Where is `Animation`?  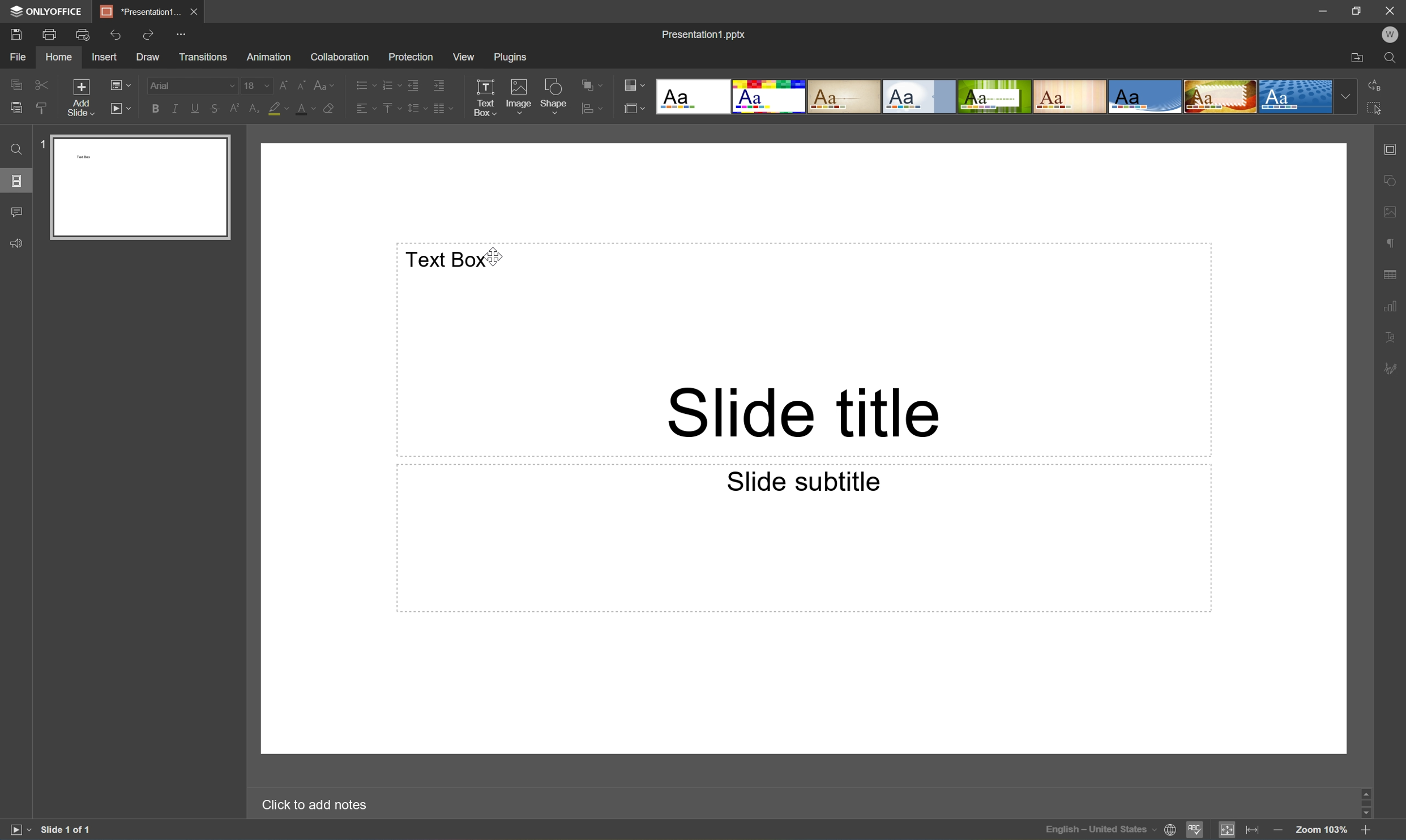 Animation is located at coordinates (271, 57).